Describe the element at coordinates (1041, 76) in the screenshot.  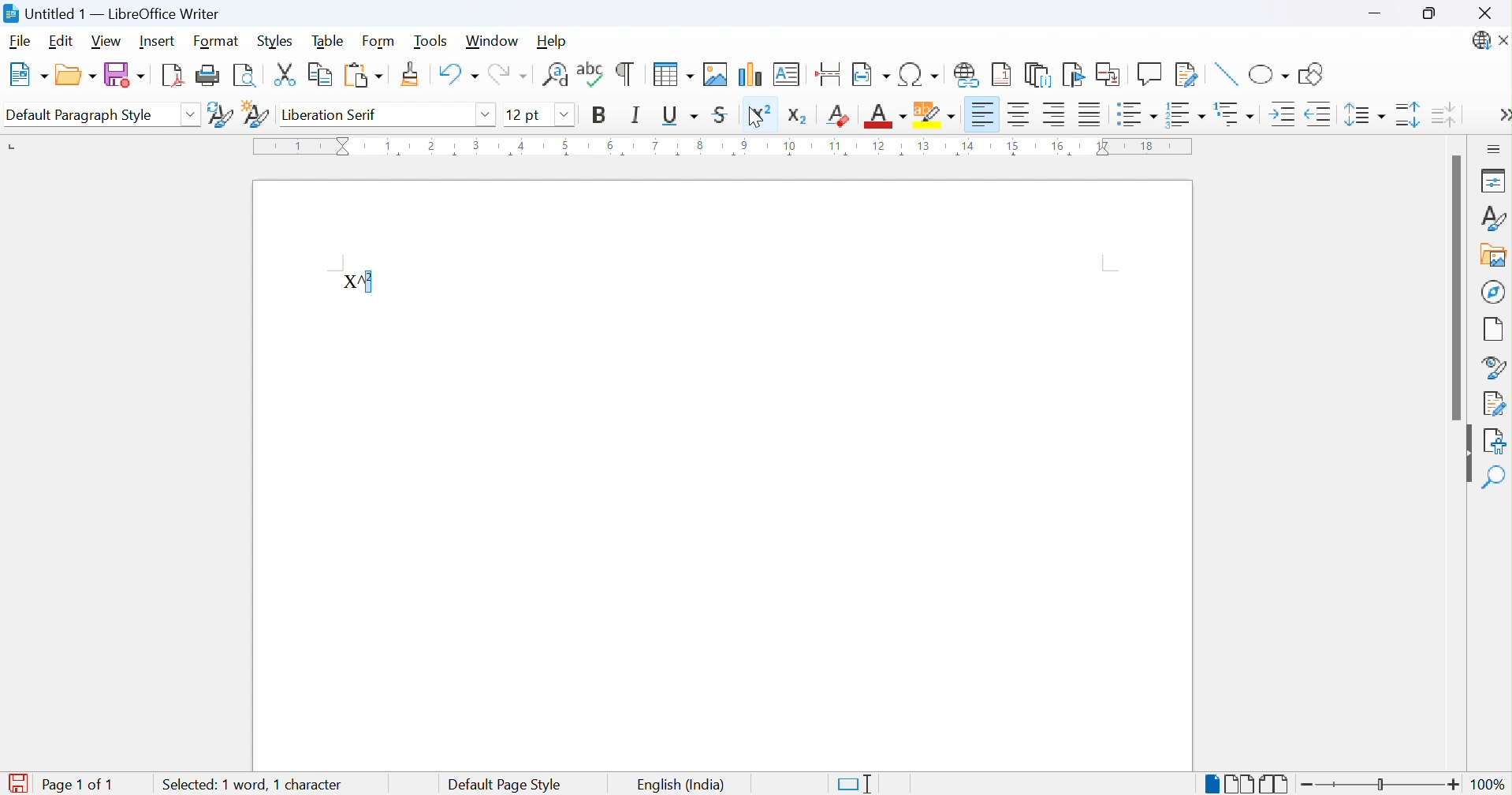
I see `Insert endnote` at that location.